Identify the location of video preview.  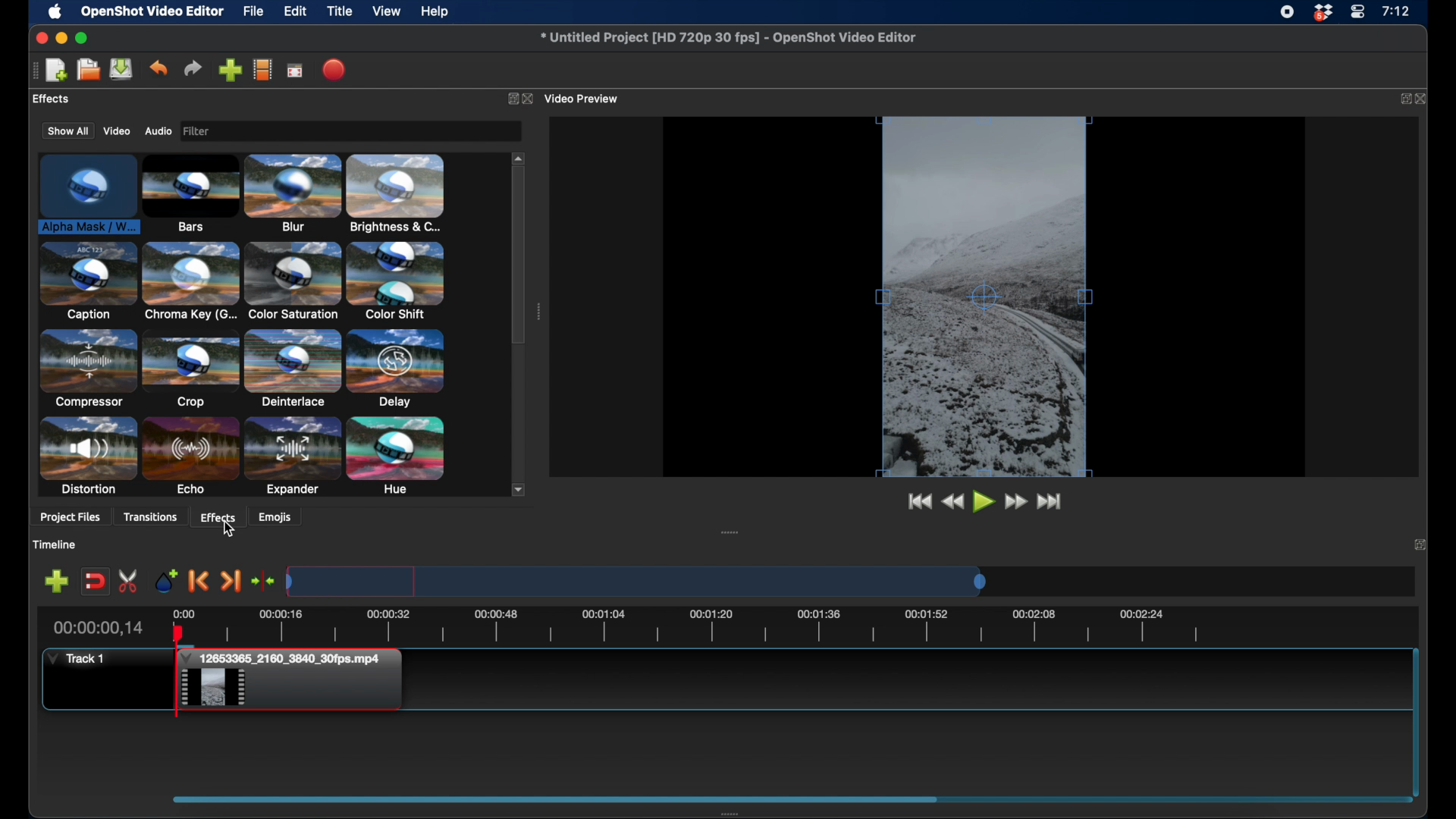
(586, 98).